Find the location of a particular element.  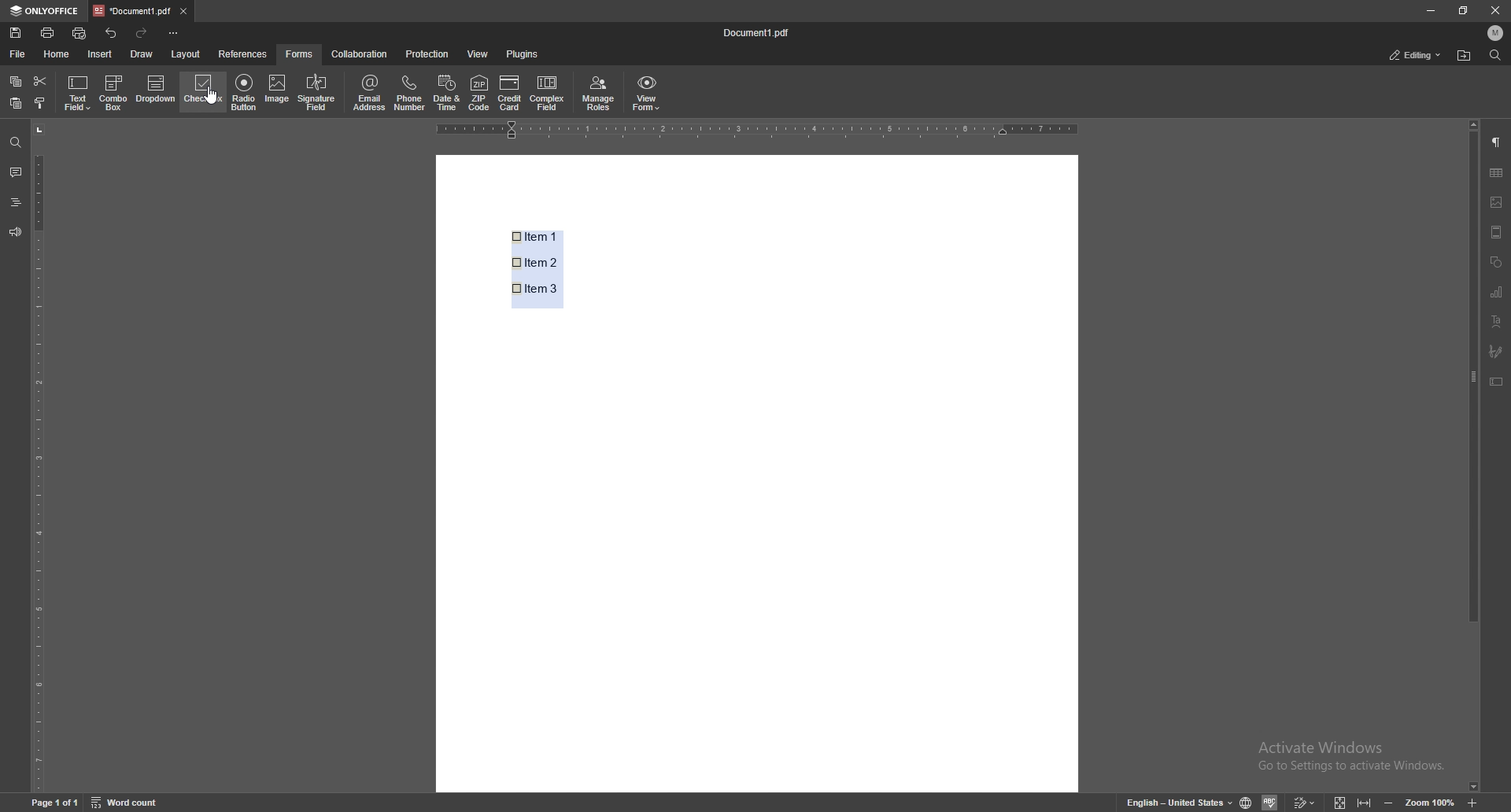

layout is located at coordinates (186, 54).